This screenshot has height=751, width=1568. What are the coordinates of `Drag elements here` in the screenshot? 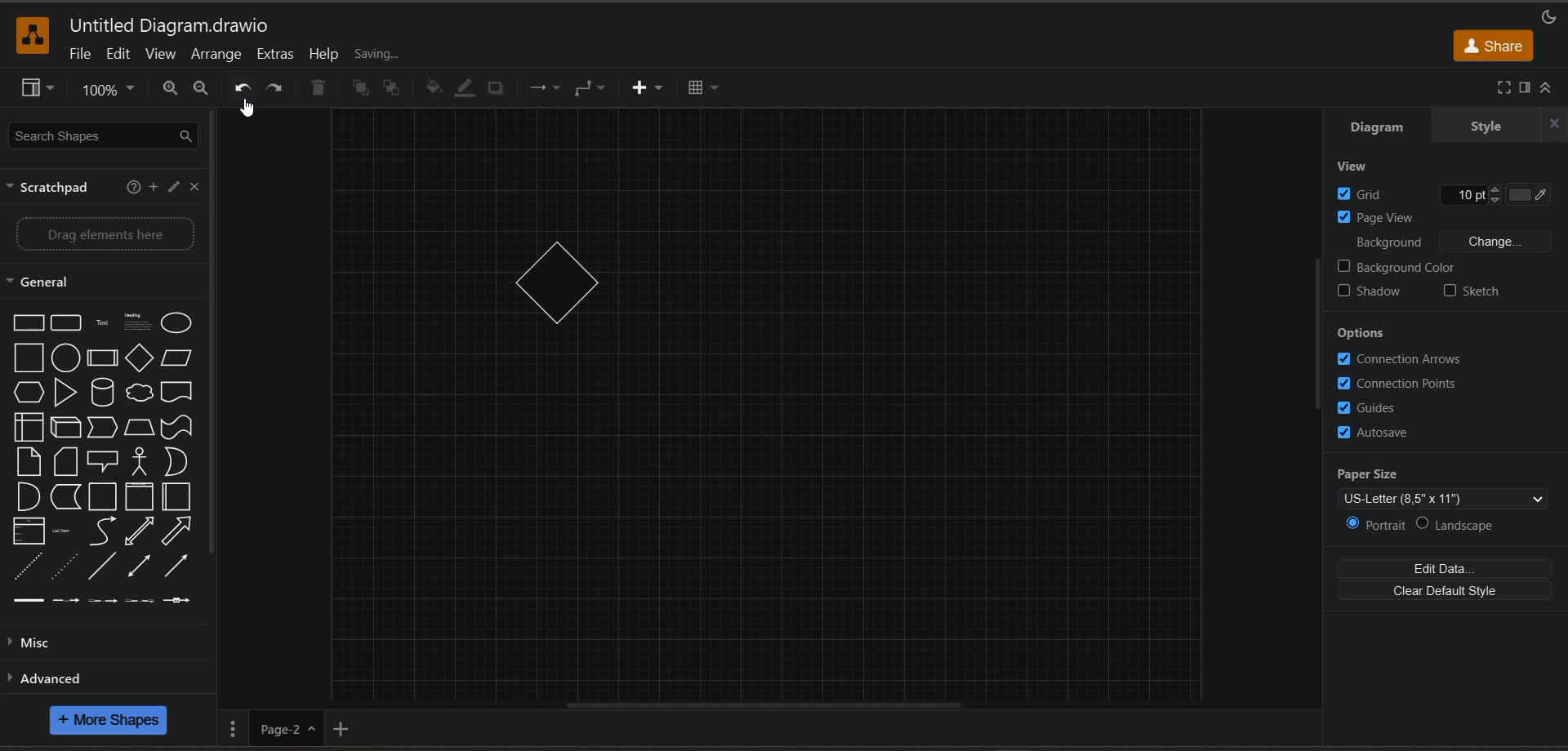 It's located at (106, 234).